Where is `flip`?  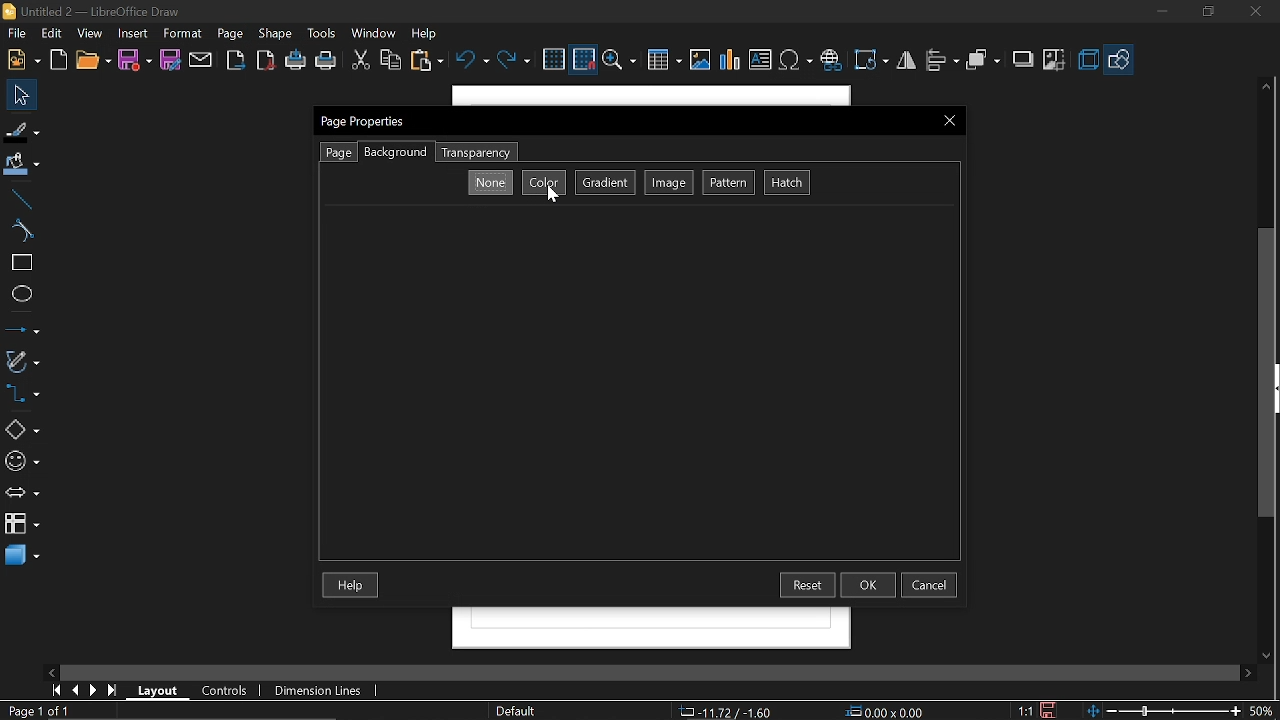 flip is located at coordinates (906, 61).